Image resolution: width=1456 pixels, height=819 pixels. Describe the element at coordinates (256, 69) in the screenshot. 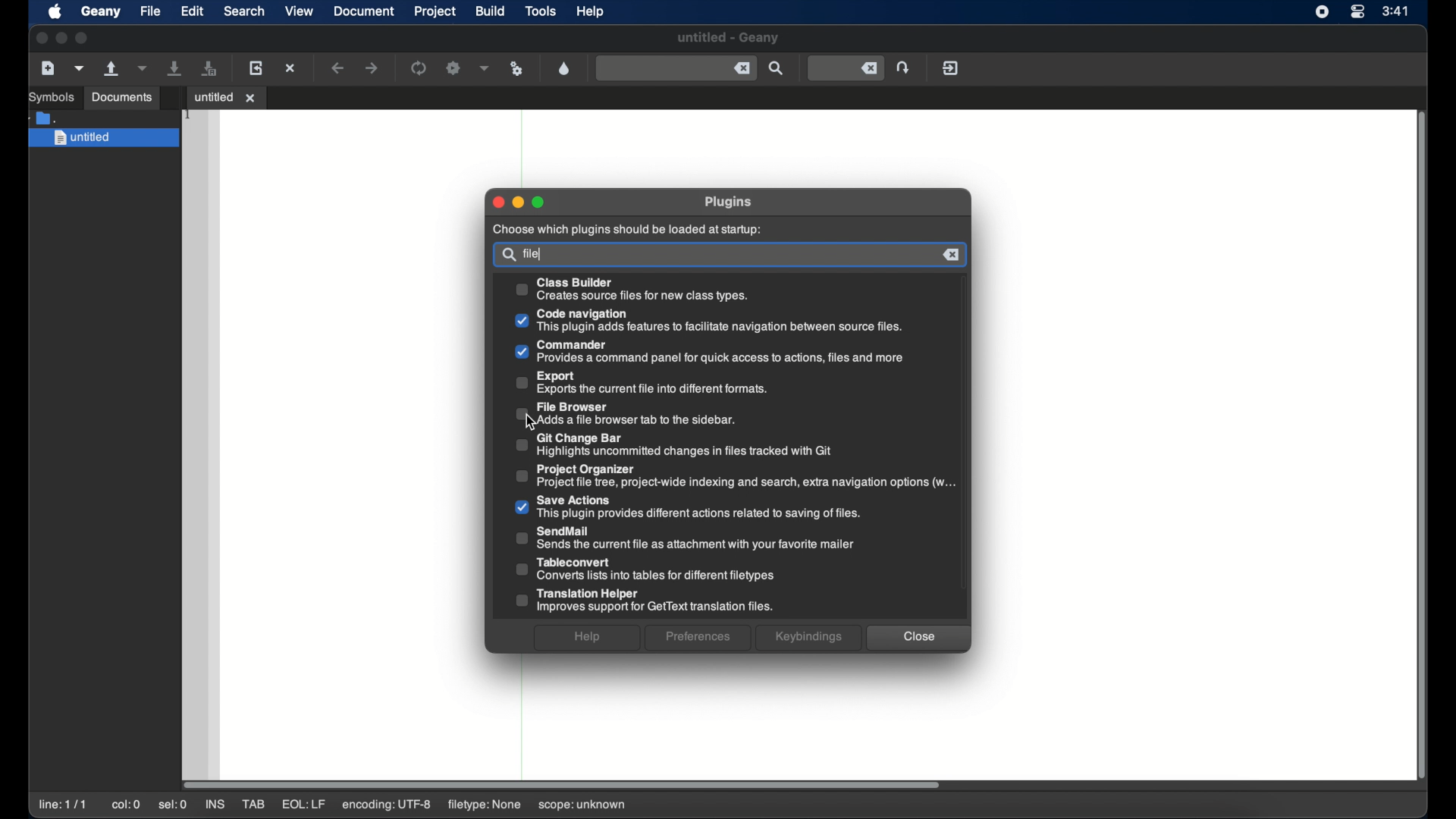

I see `load the current file from disk` at that location.